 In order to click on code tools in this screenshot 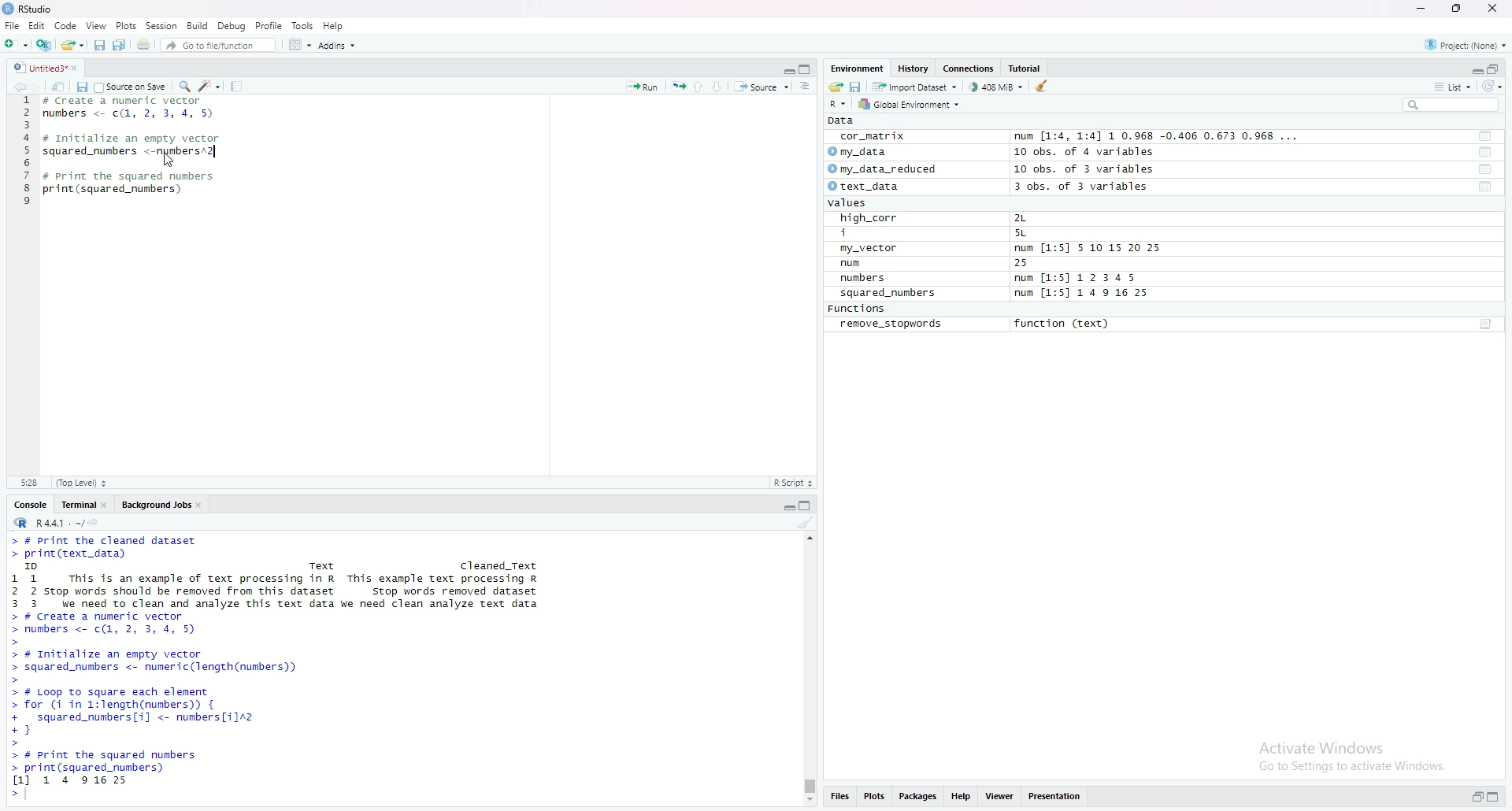, I will do `click(209, 85)`.